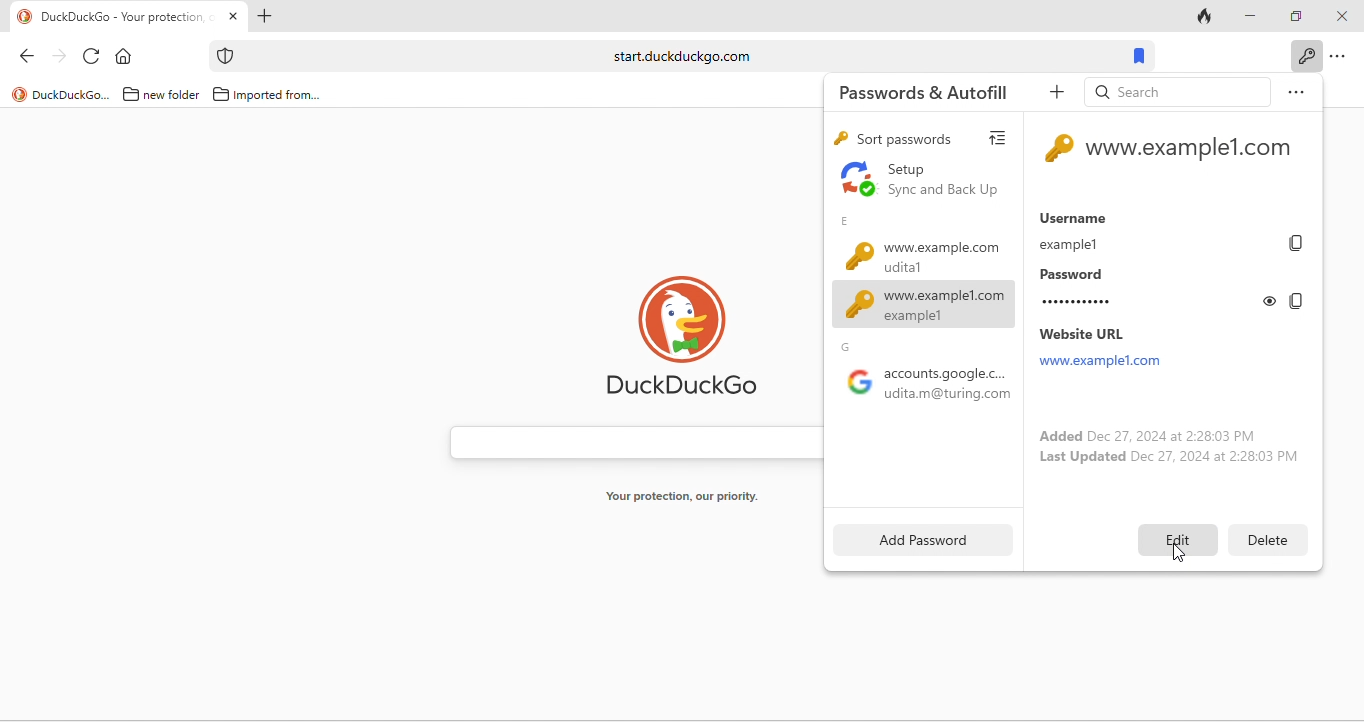 This screenshot has height=722, width=1364. Describe the element at coordinates (72, 96) in the screenshot. I see `duckduckgo...` at that location.